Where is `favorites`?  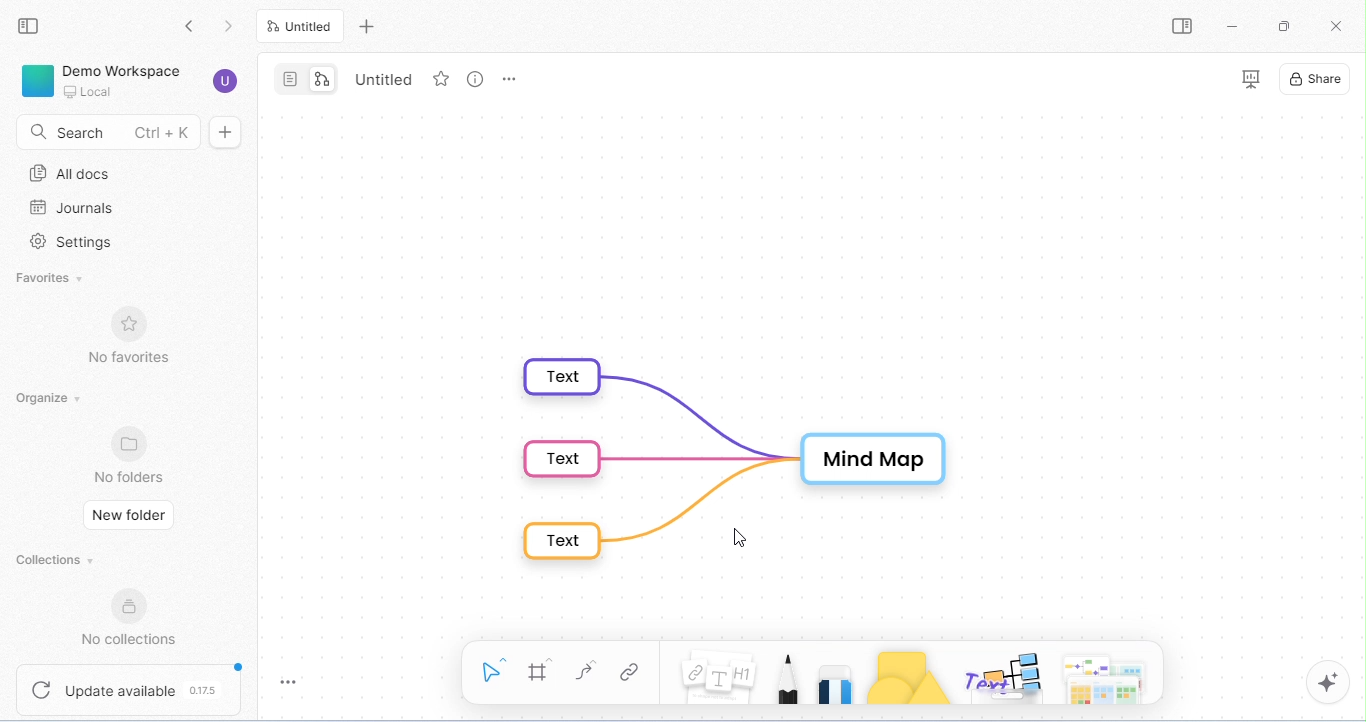
favorites is located at coordinates (55, 278).